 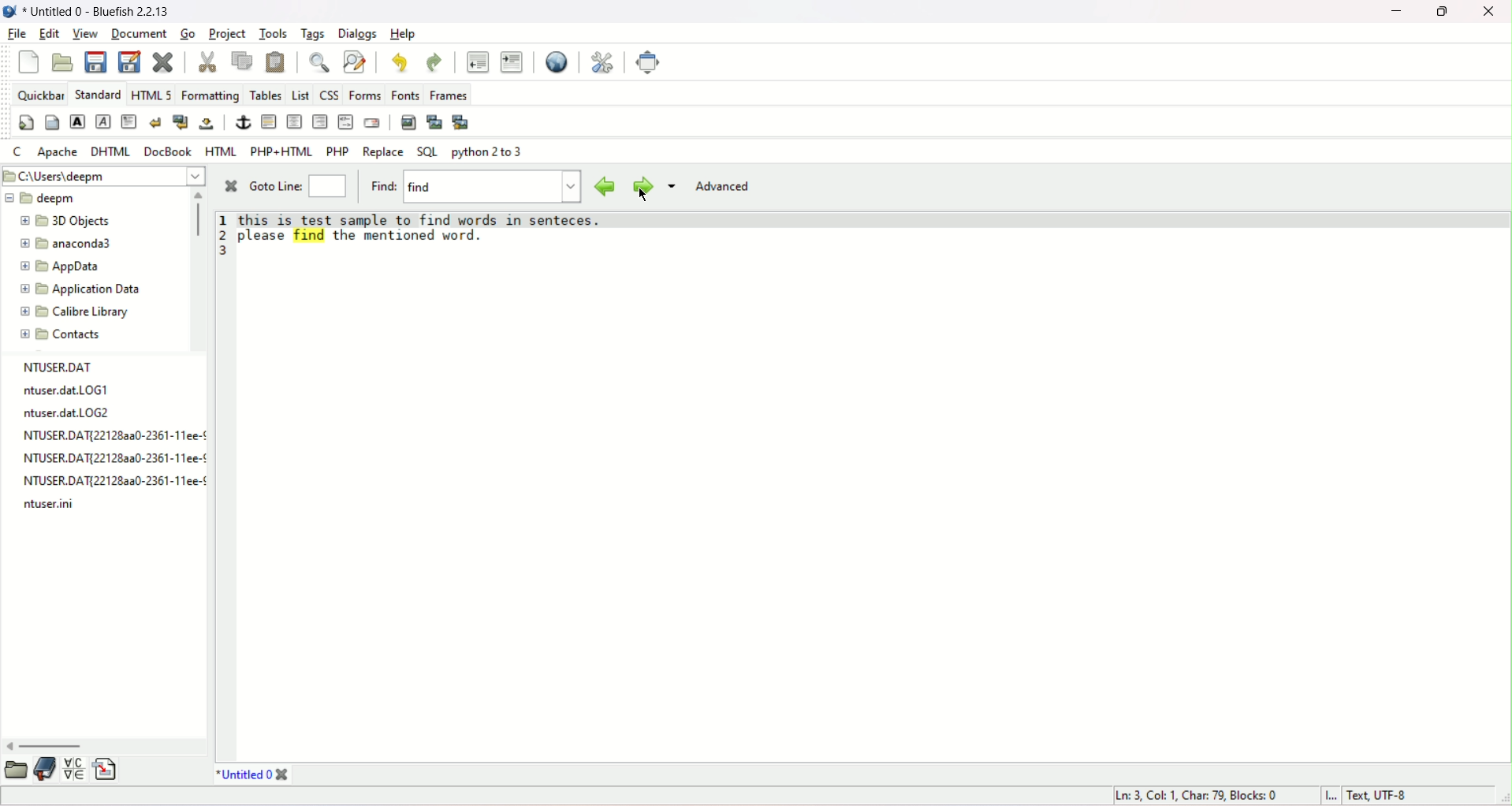 I want to click on vertical scroll bar, so click(x=197, y=223).